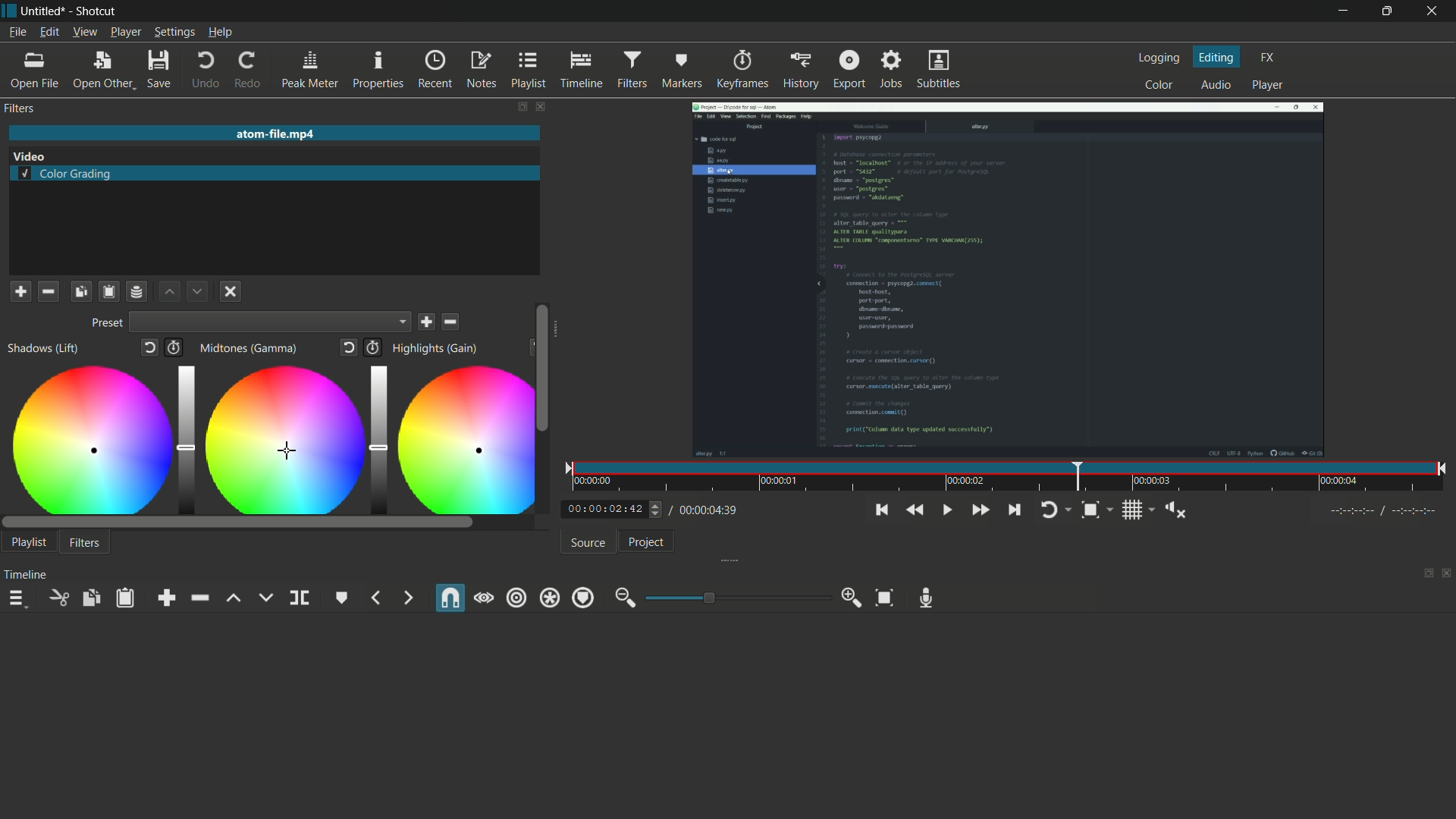 The height and width of the screenshot is (819, 1456). Describe the element at coordinates (108, 291) in the screenshot. I see `Clipboard` at that location.